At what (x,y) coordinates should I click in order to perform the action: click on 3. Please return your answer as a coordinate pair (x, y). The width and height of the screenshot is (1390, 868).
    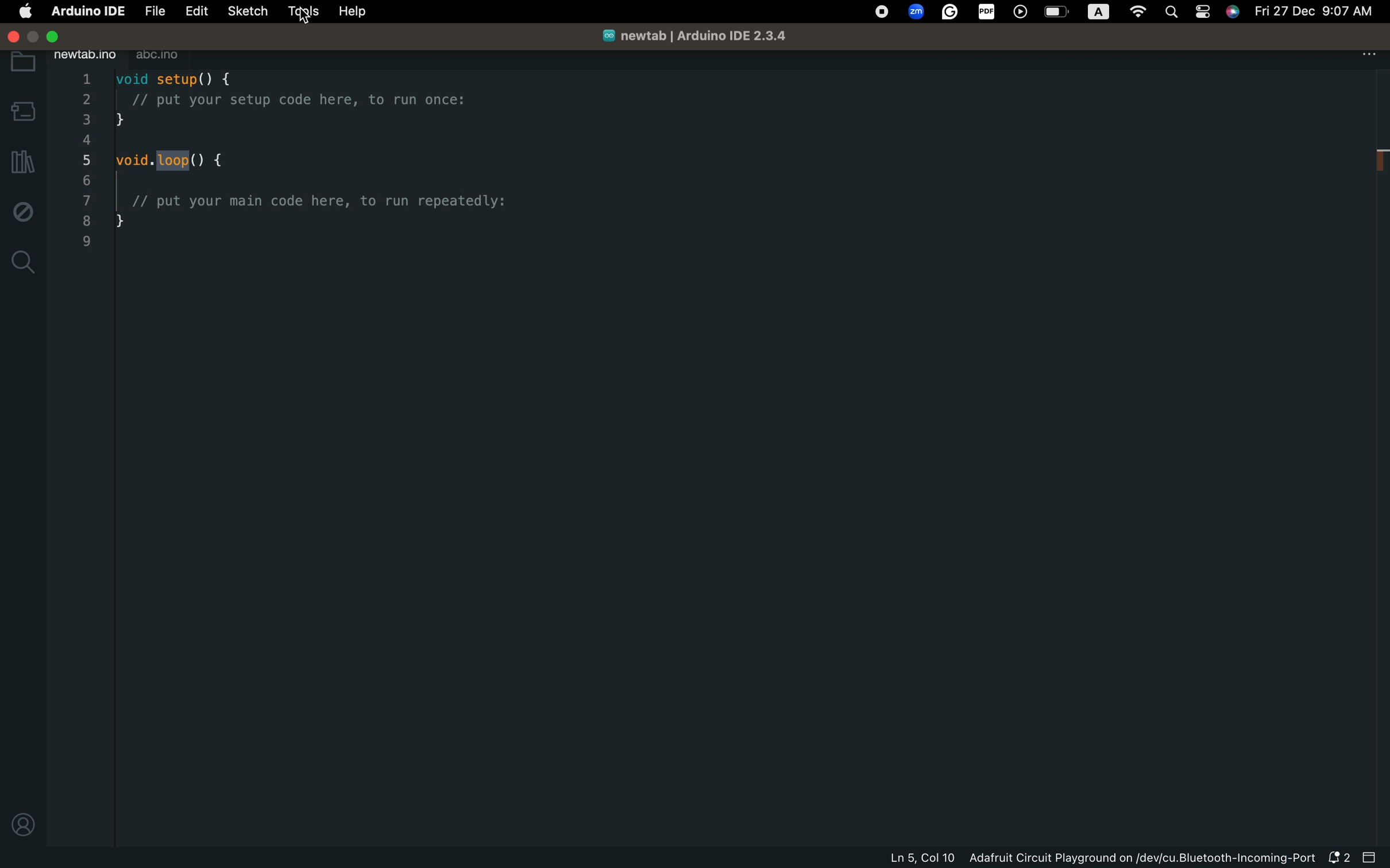
    Looking at the image, I should click on (86, 119).